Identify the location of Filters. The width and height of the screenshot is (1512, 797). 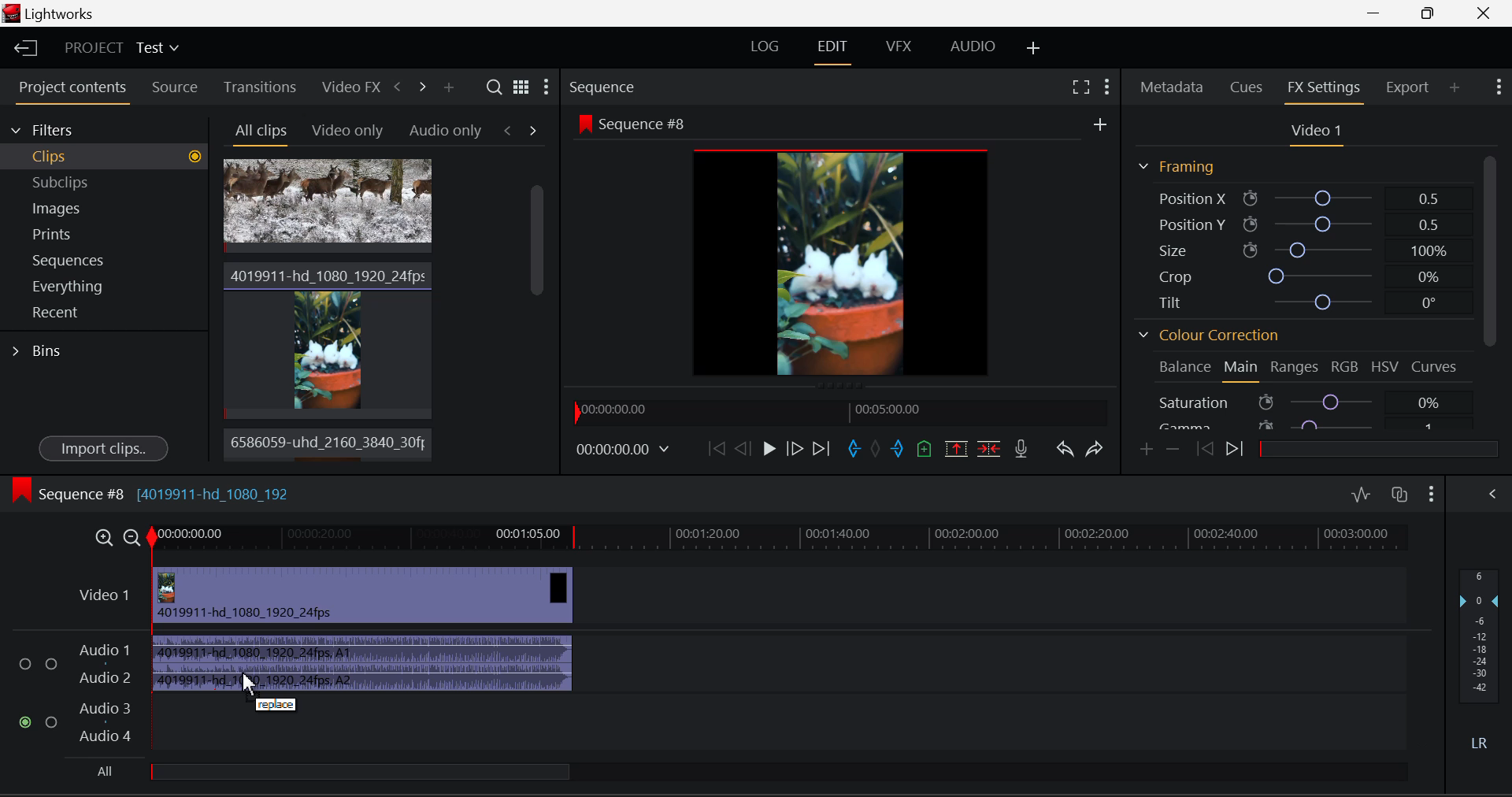
(104, 129).